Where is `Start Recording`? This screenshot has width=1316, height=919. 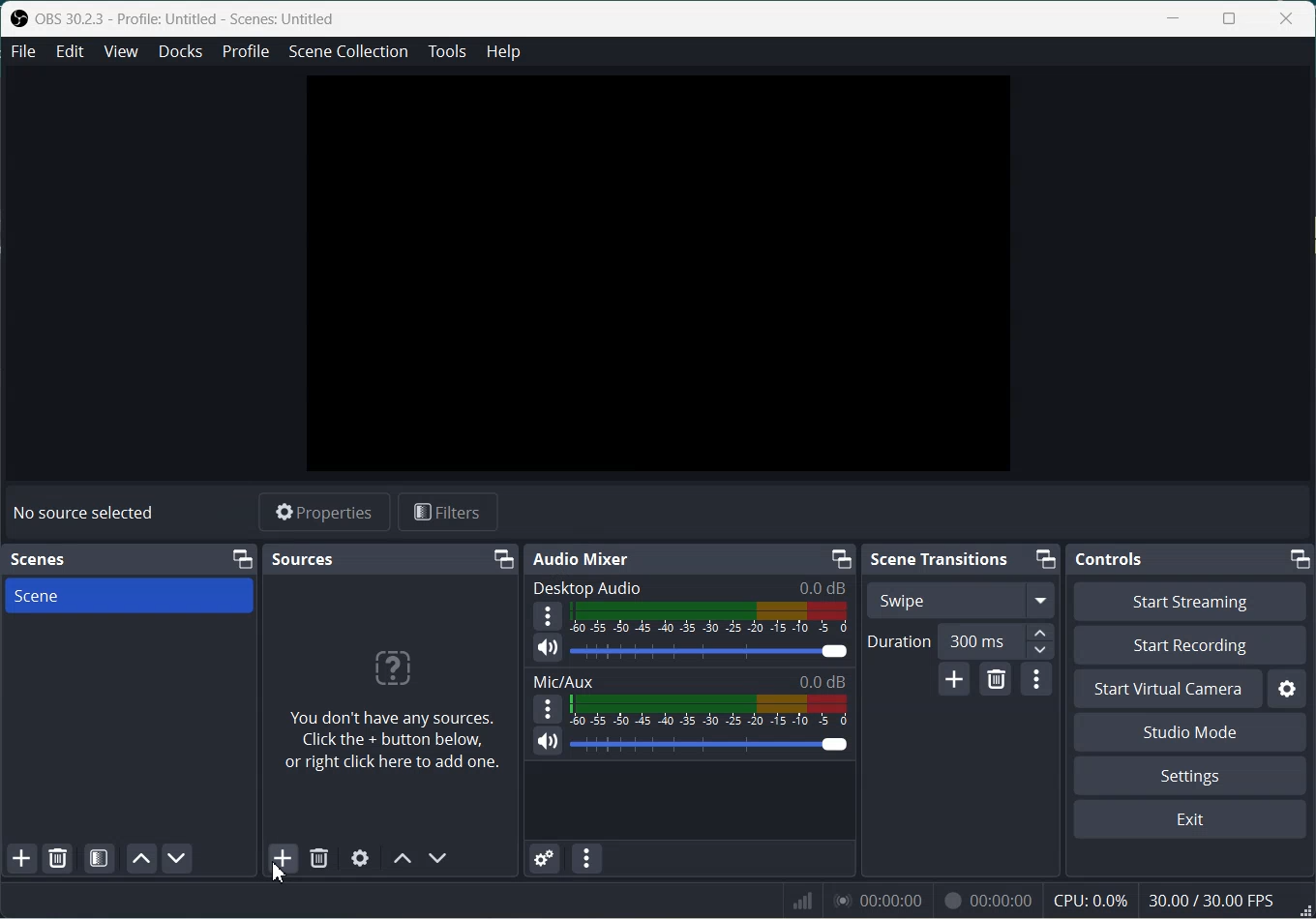 Start Recording is located at coordinates (1189, 645).